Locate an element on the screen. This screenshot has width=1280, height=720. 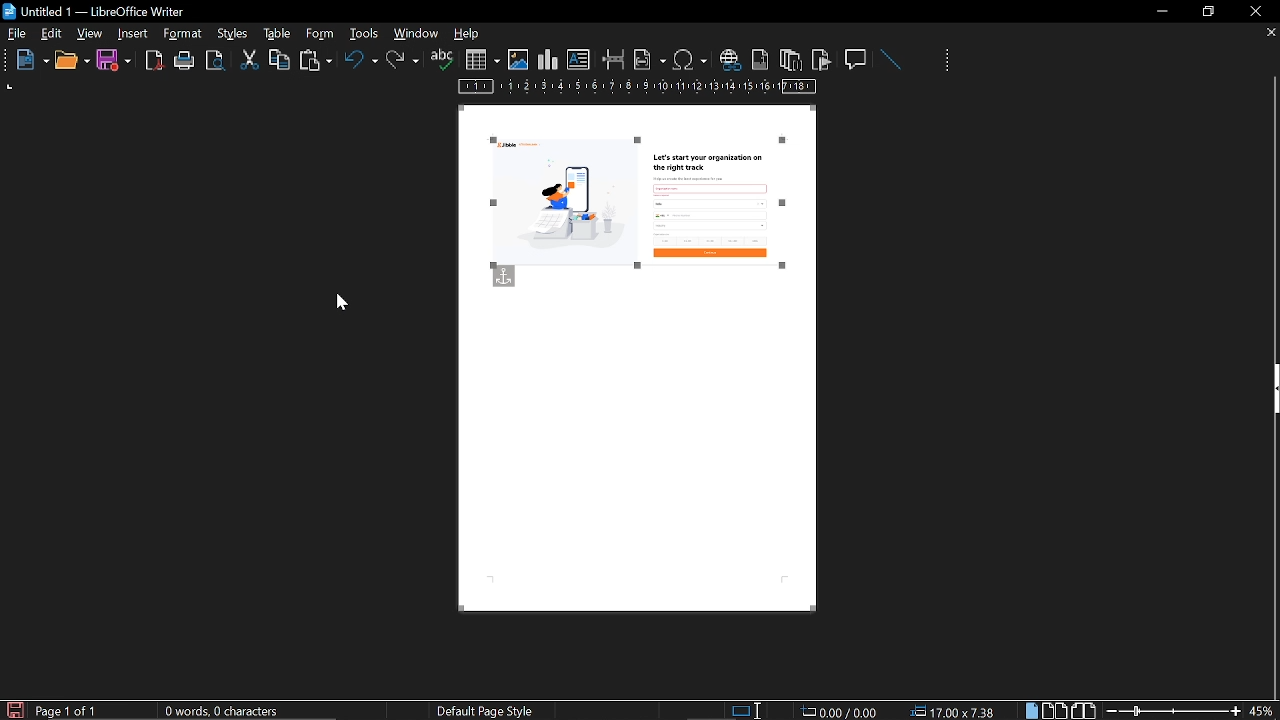
tools is located at coordinates (186, 34).